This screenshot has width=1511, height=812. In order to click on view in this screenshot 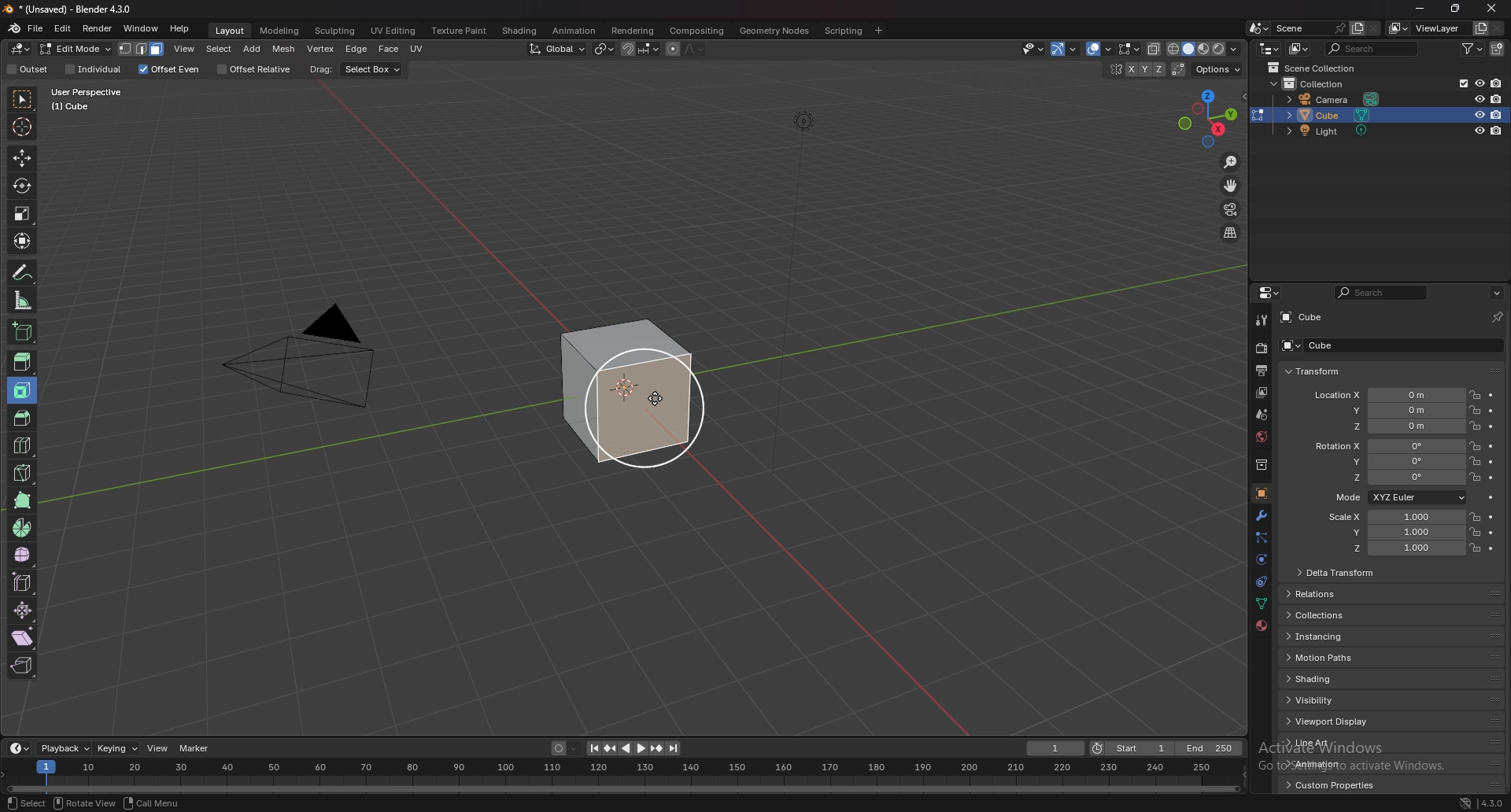, I will do `click(185, 49)`.